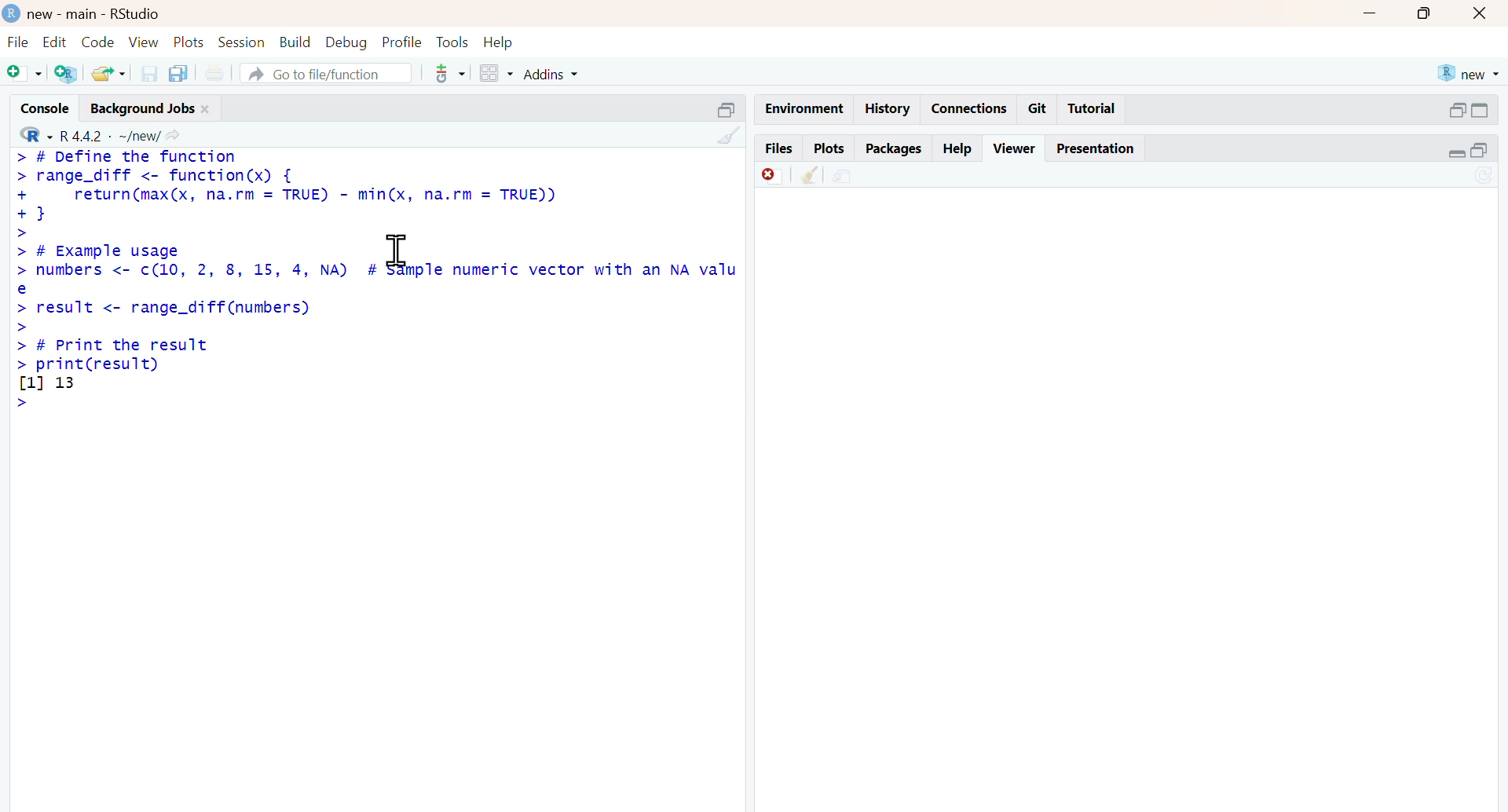 Image resolution: width=1508 pixels, height=812 pixels. What do you see at coordinates (1458, 110) in the screenshot?
I see `open in separate window` at bounding box center [1458, 110].